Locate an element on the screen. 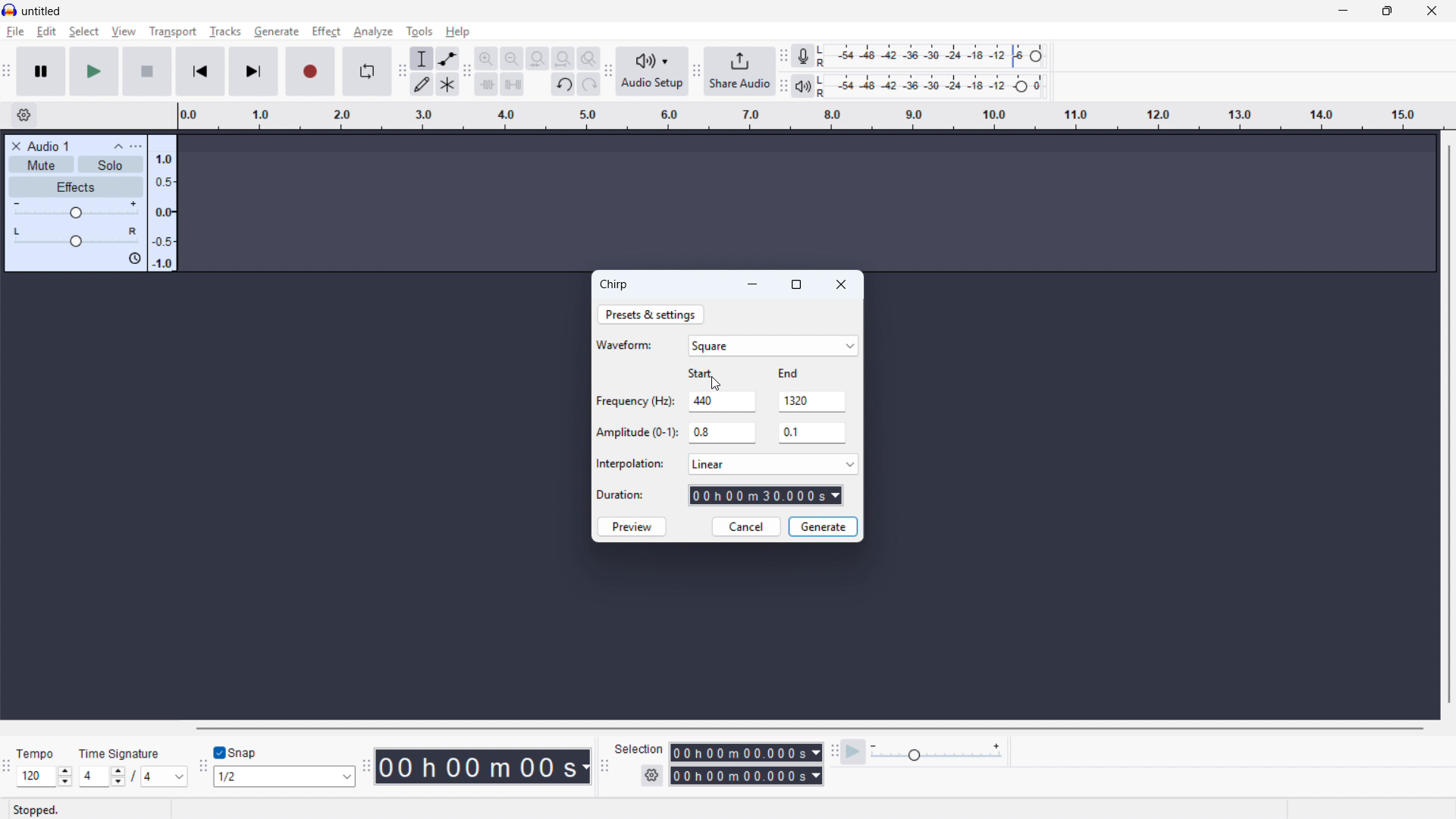 This screenshot has height=819, width=1456. Recording metre toolbar is located at coordinates (783, 55).